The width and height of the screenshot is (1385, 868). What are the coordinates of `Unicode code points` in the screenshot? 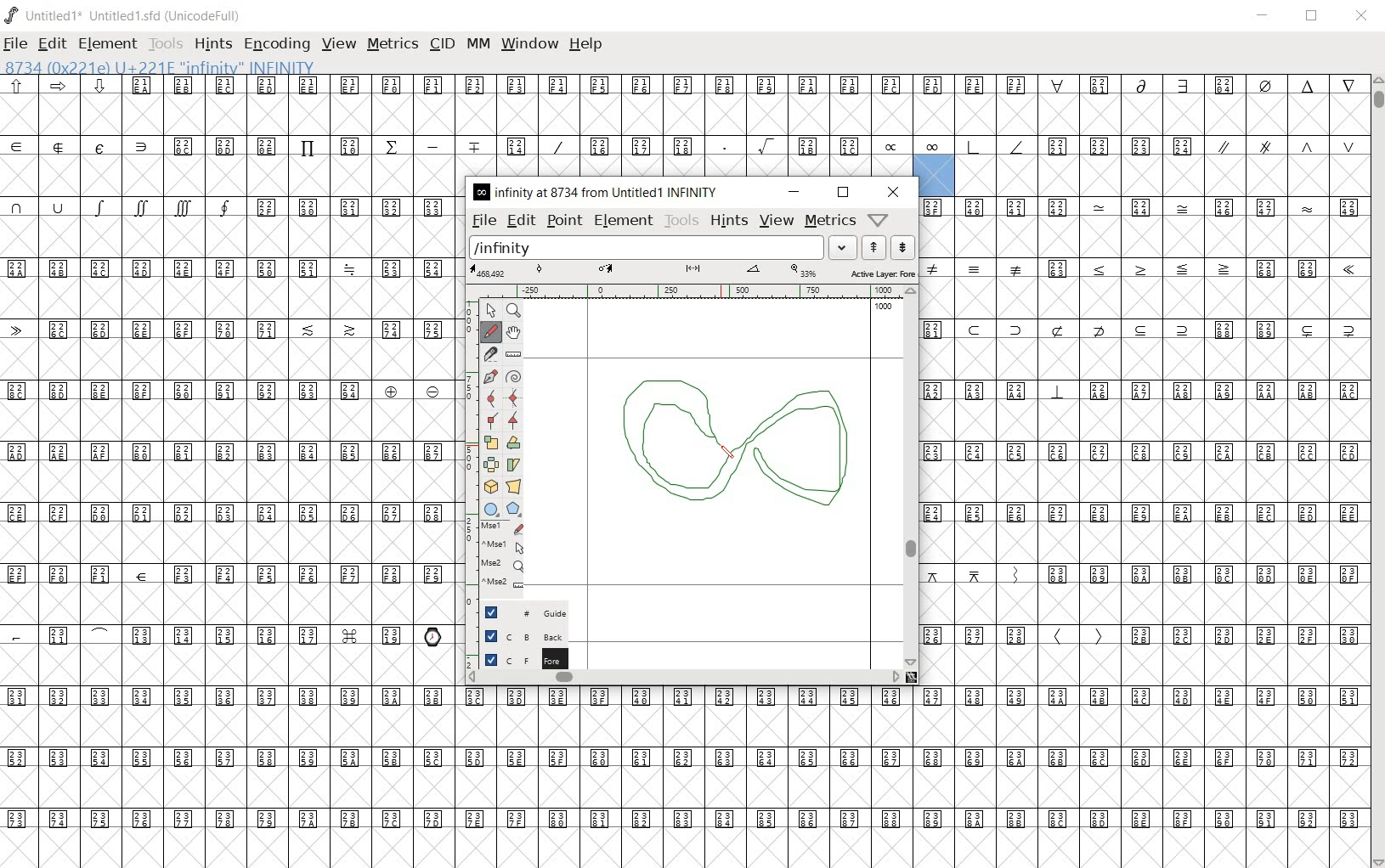 It's located at (350, 206).